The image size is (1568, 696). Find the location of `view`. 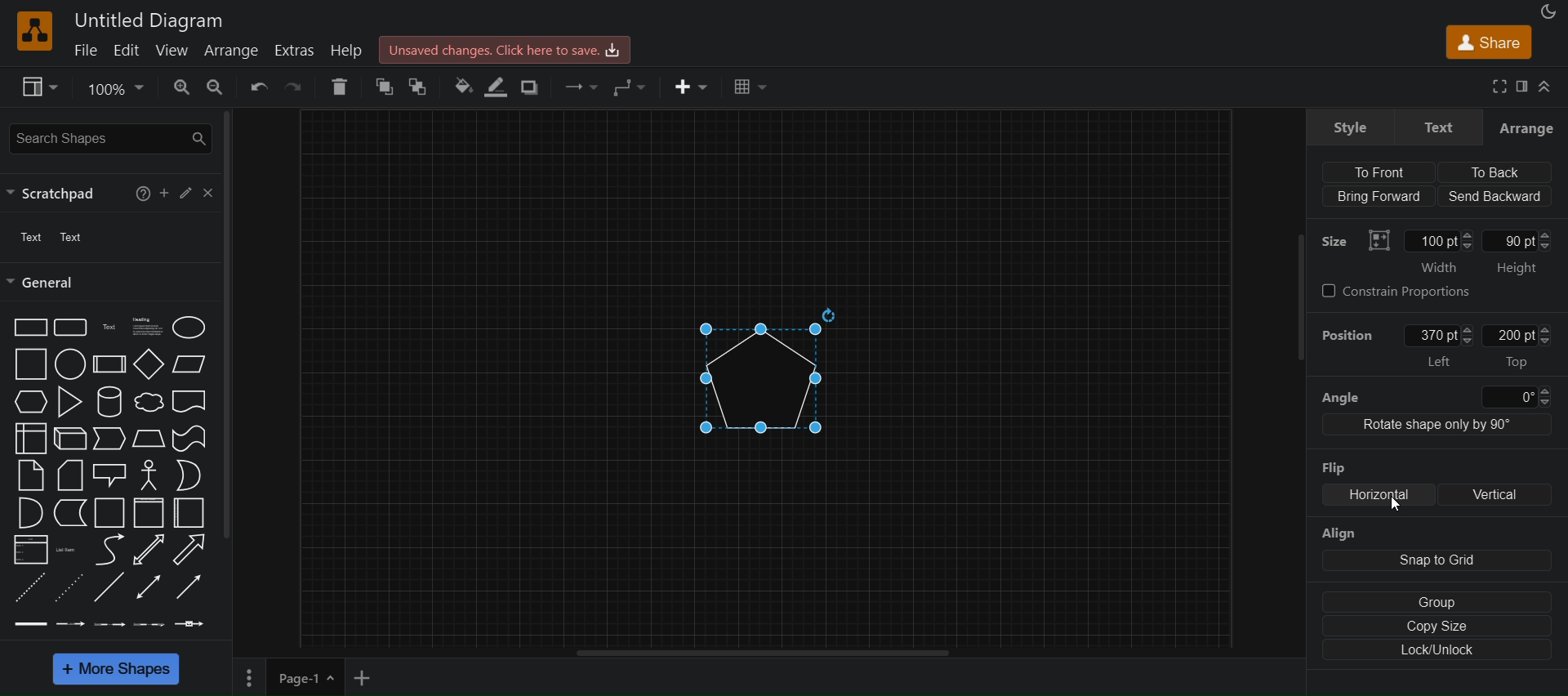

view is located at coordinates (176, 49).